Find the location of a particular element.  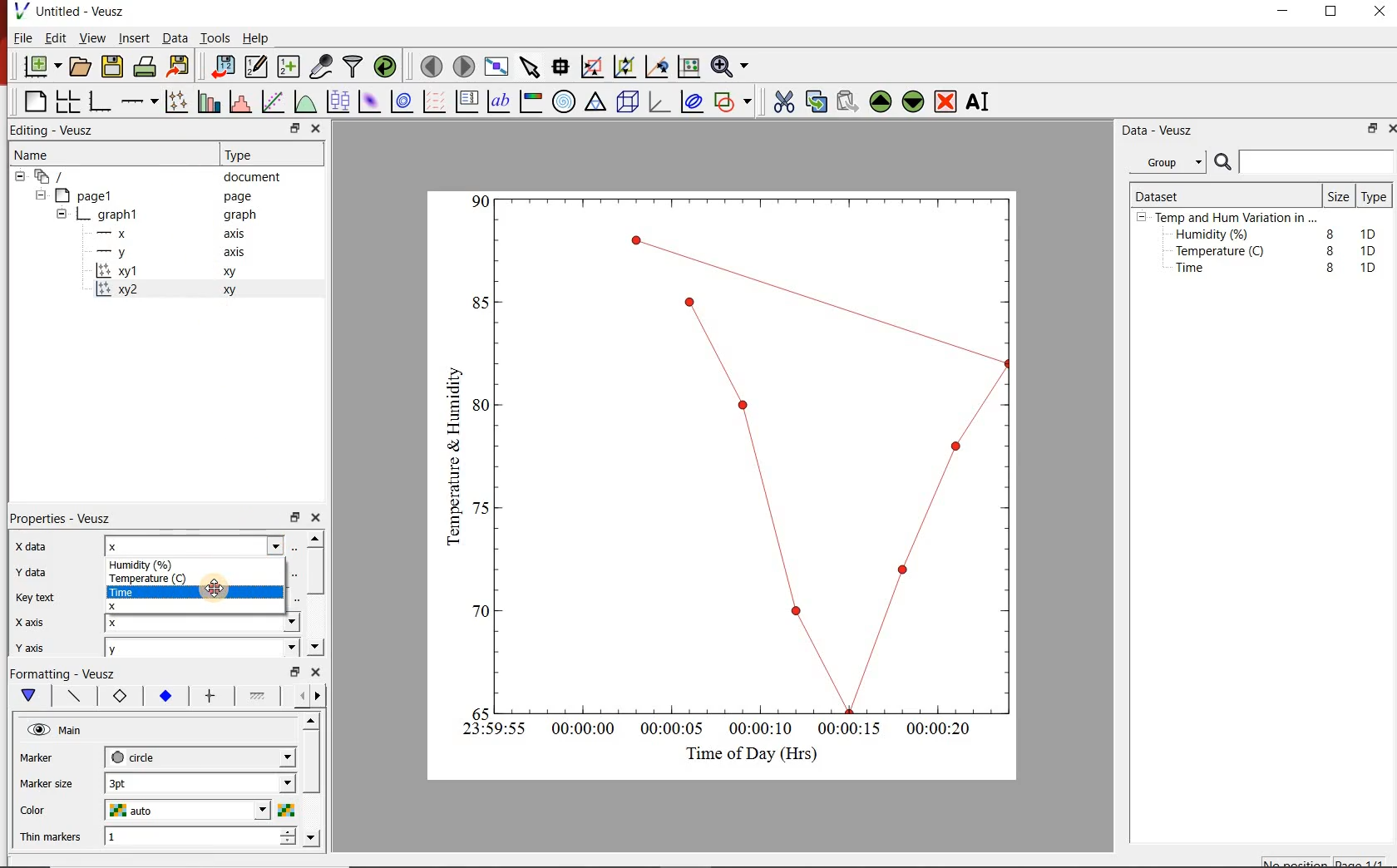

Humidity (%) is located at coordinates (152, 565).